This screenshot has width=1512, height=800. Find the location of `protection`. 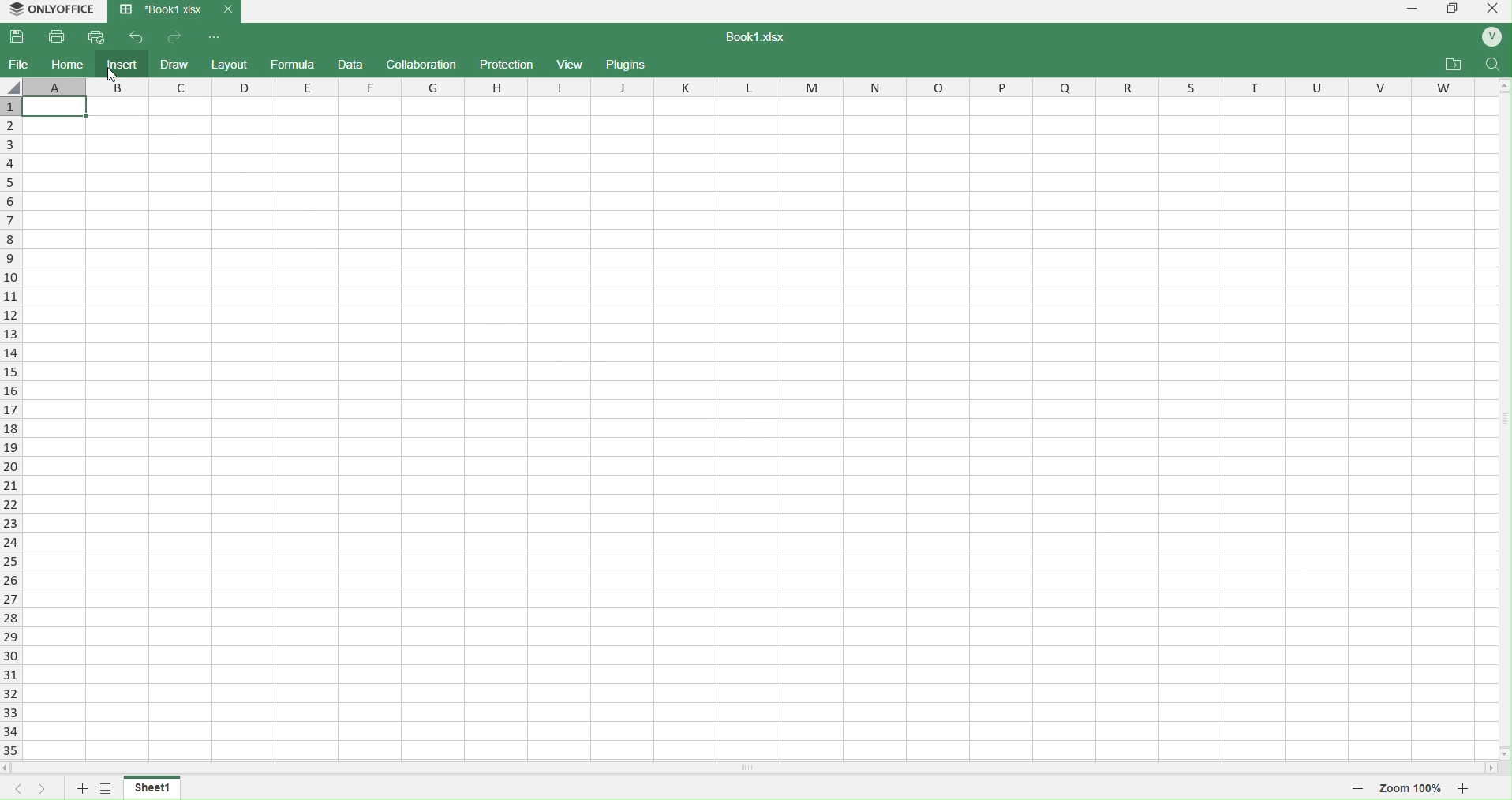

protection is located at coordinates (503, 64).